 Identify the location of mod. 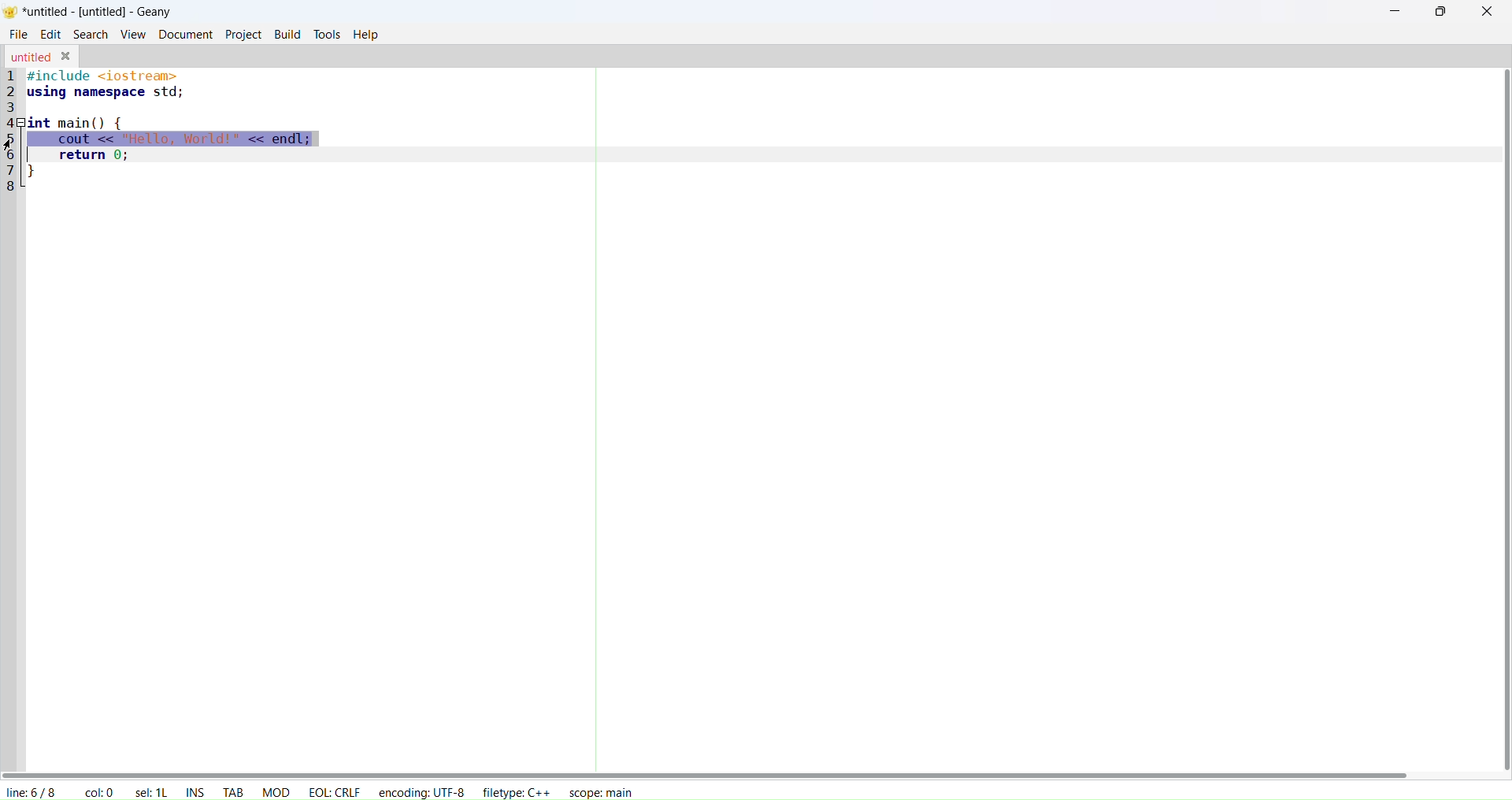
(276, 791).